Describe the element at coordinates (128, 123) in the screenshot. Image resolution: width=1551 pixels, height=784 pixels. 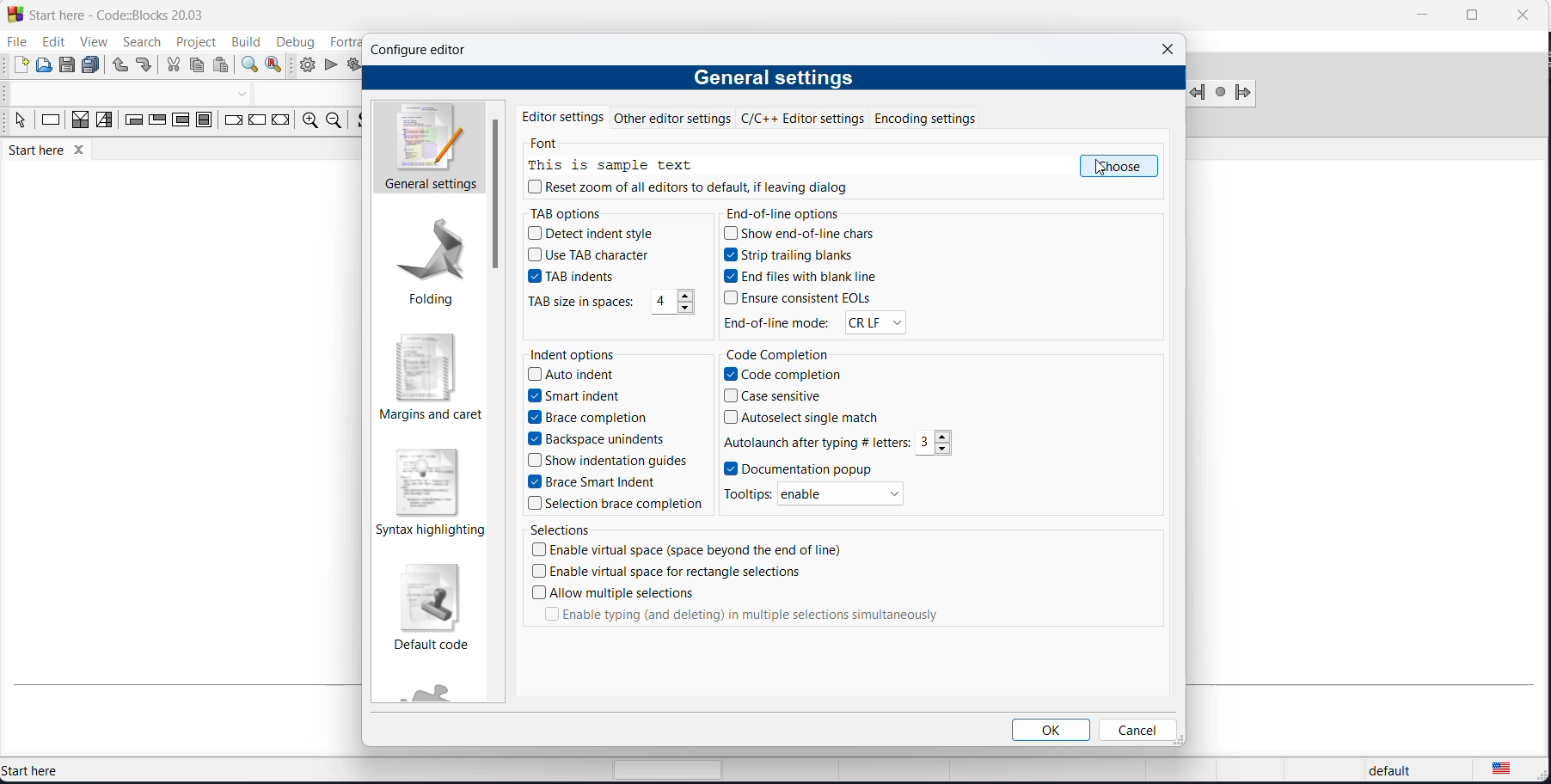
I see `entry condition loop` at that location.